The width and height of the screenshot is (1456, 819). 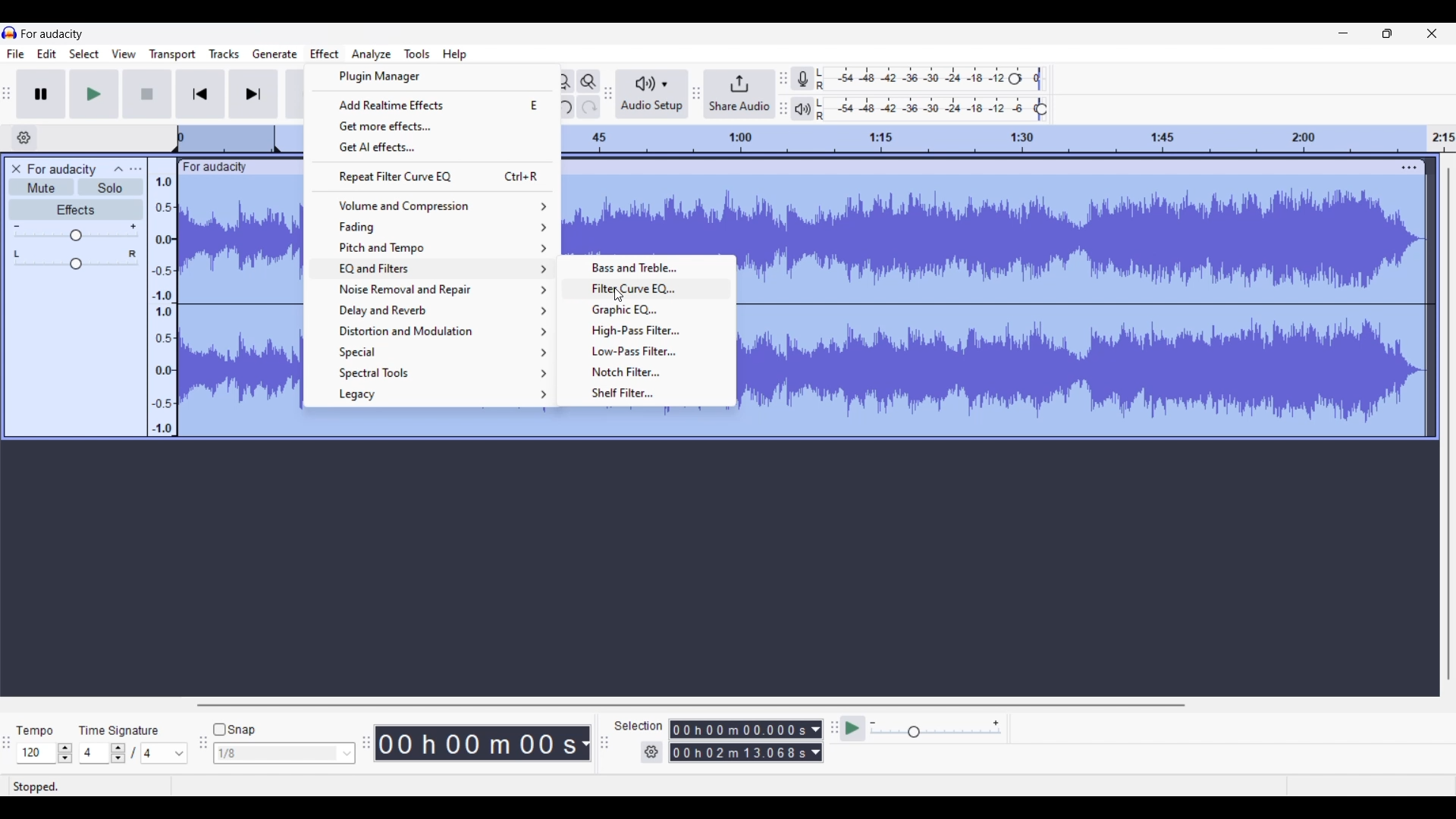 What do you see at coordinates (165, 754) in the screenshot?
I see `Max. time signature options` at bounding box center [165, 754].